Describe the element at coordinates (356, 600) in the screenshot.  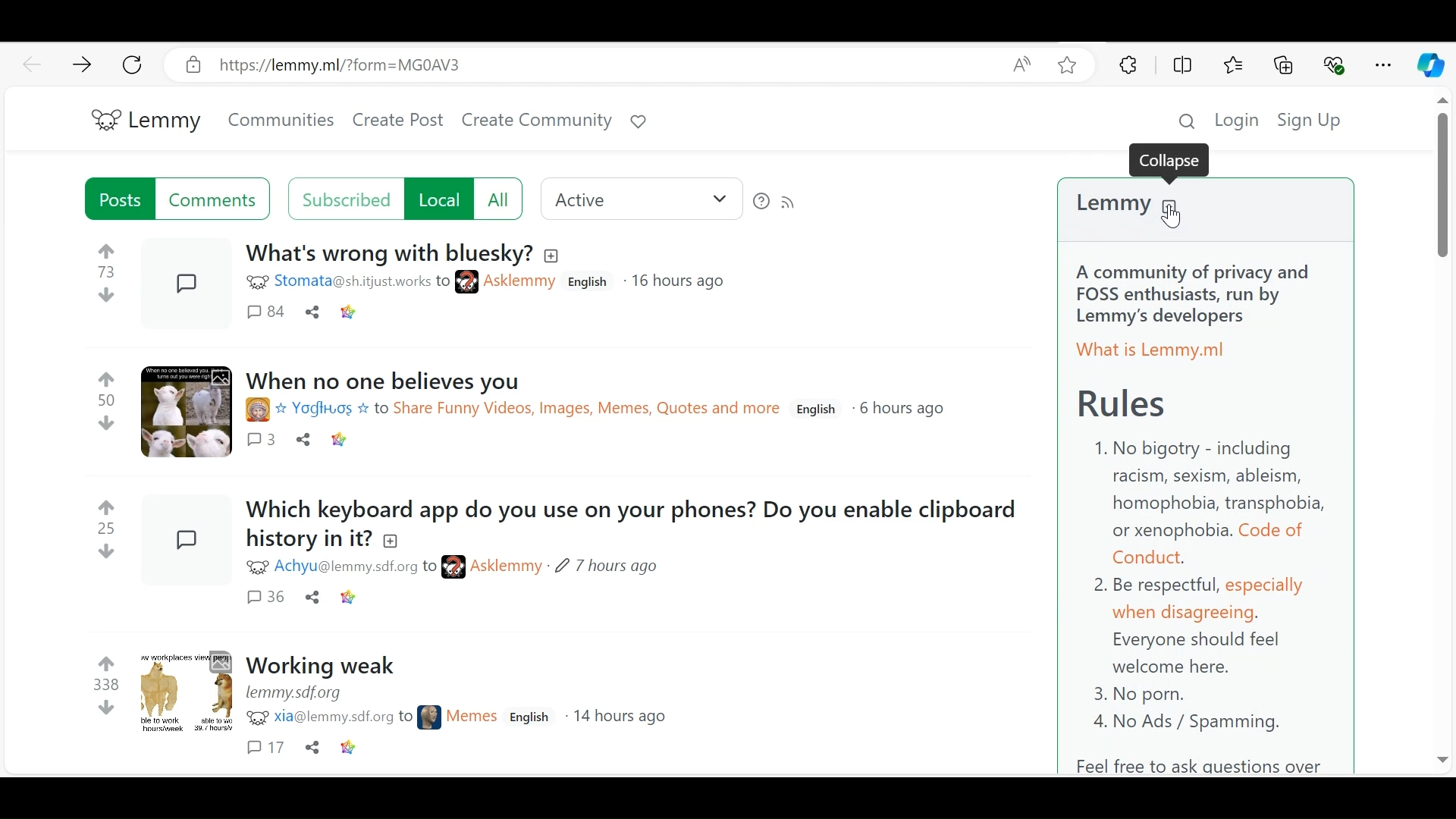
I see `link` at that location.